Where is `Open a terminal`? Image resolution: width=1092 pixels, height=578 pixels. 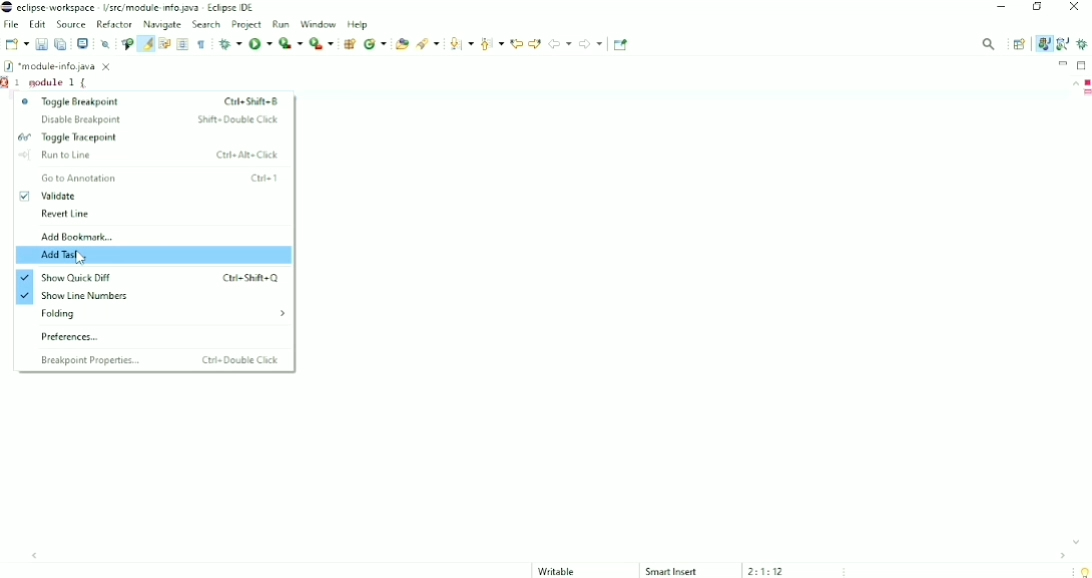 Open a terminal is located at coordinates (82, 44).